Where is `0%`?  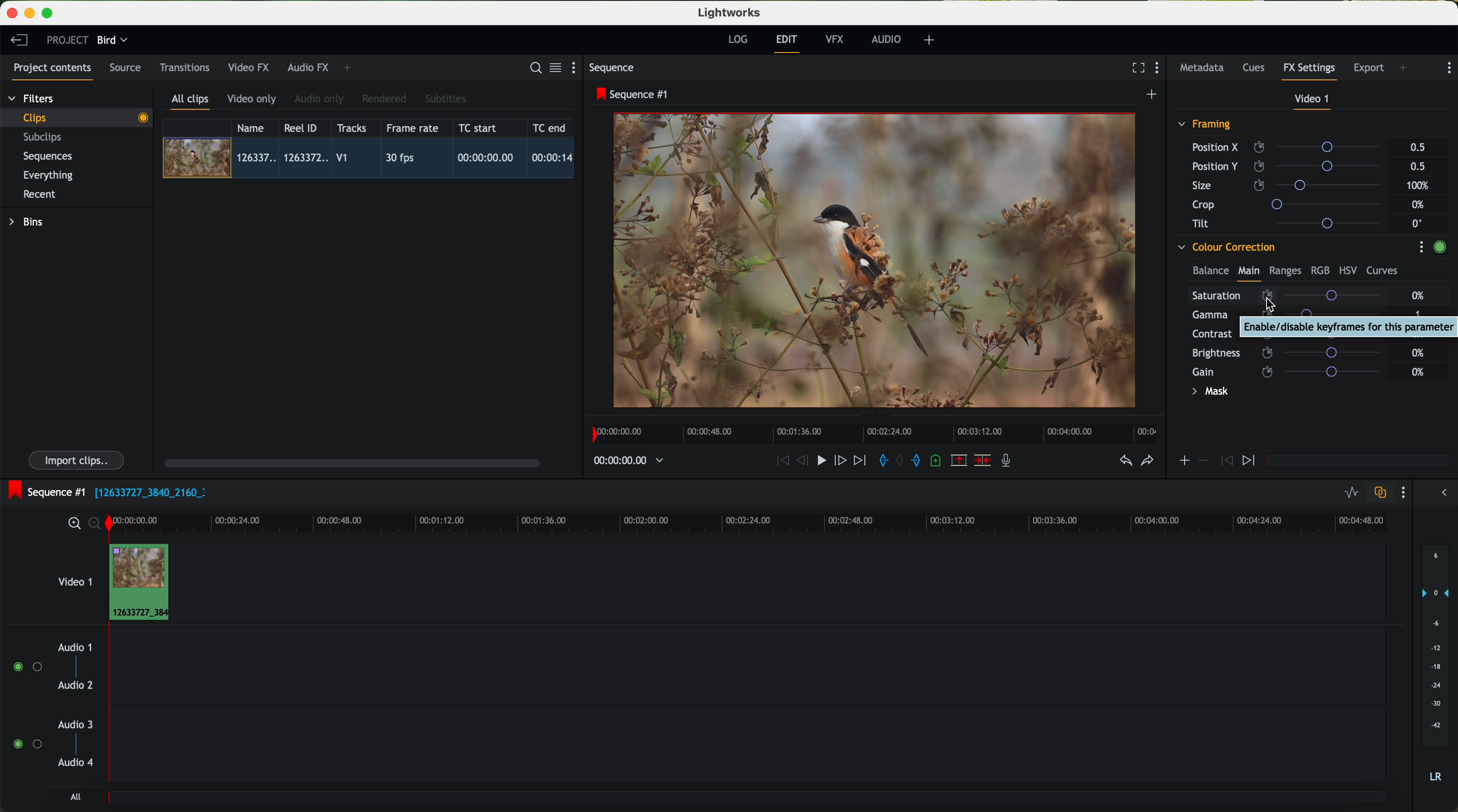 0% is located at coordinates (1418, 372).